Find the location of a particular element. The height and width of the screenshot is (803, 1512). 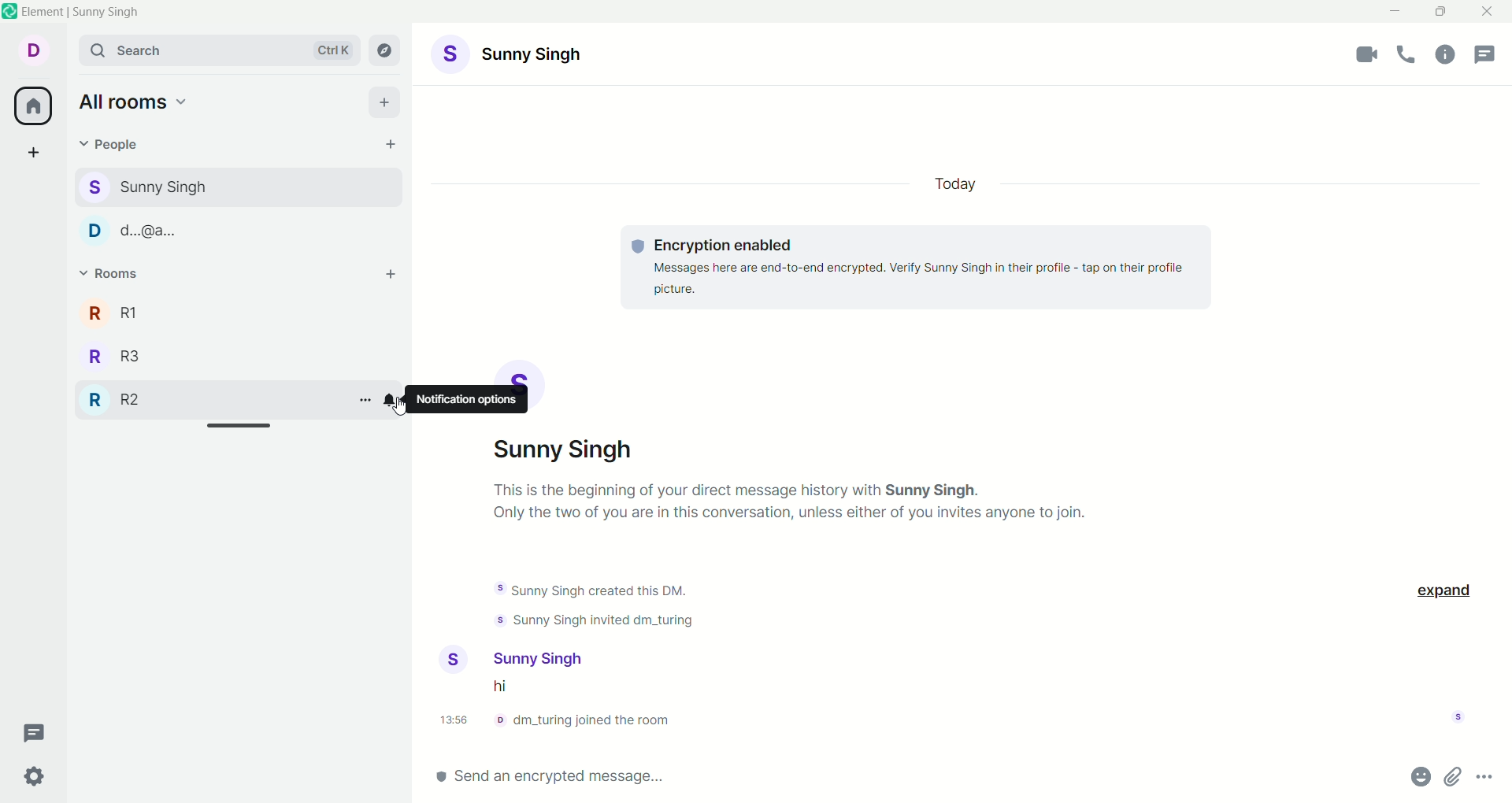

start chat is located at coordinates (387, 142).